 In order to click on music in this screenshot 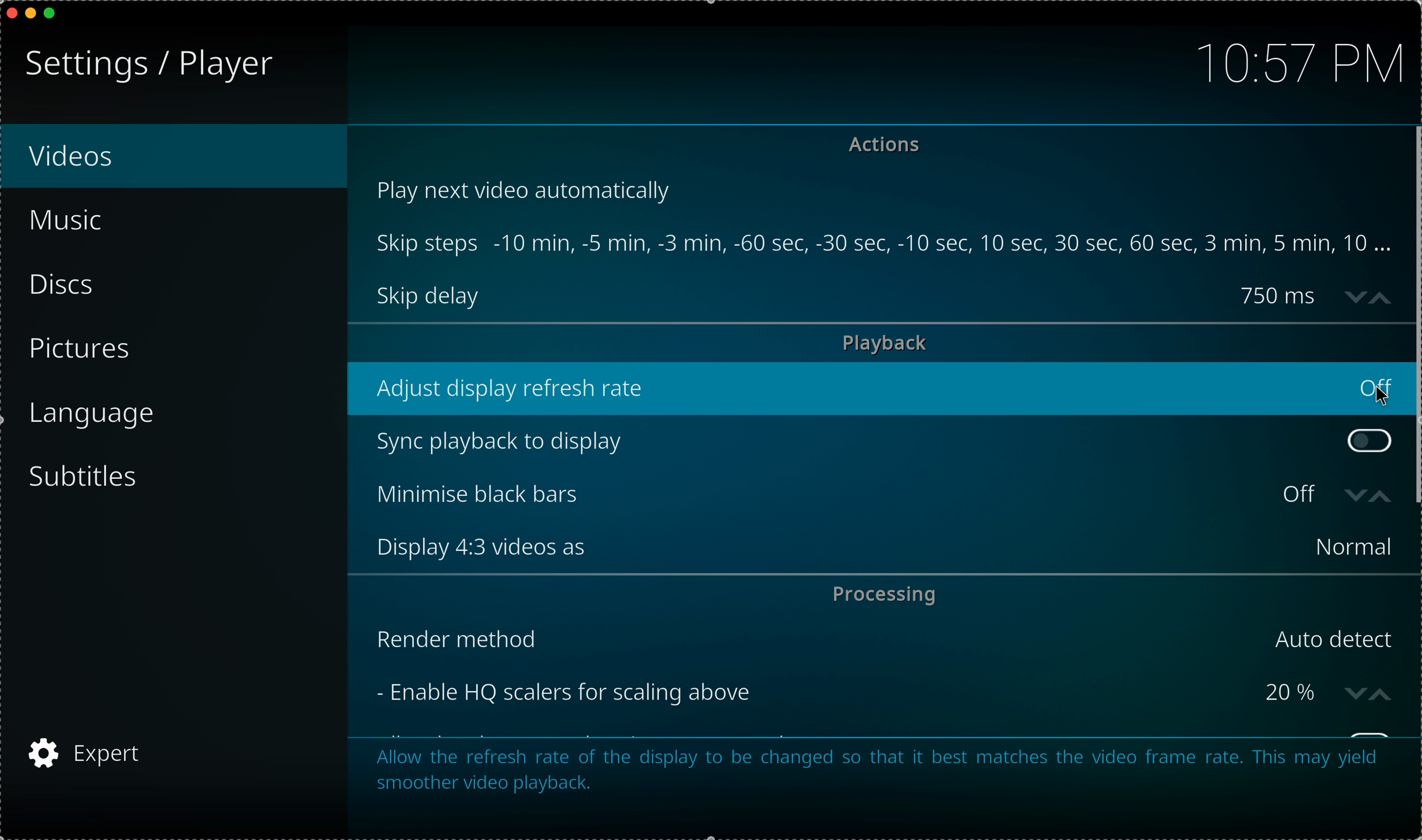, I will do `click(79, 224)`.